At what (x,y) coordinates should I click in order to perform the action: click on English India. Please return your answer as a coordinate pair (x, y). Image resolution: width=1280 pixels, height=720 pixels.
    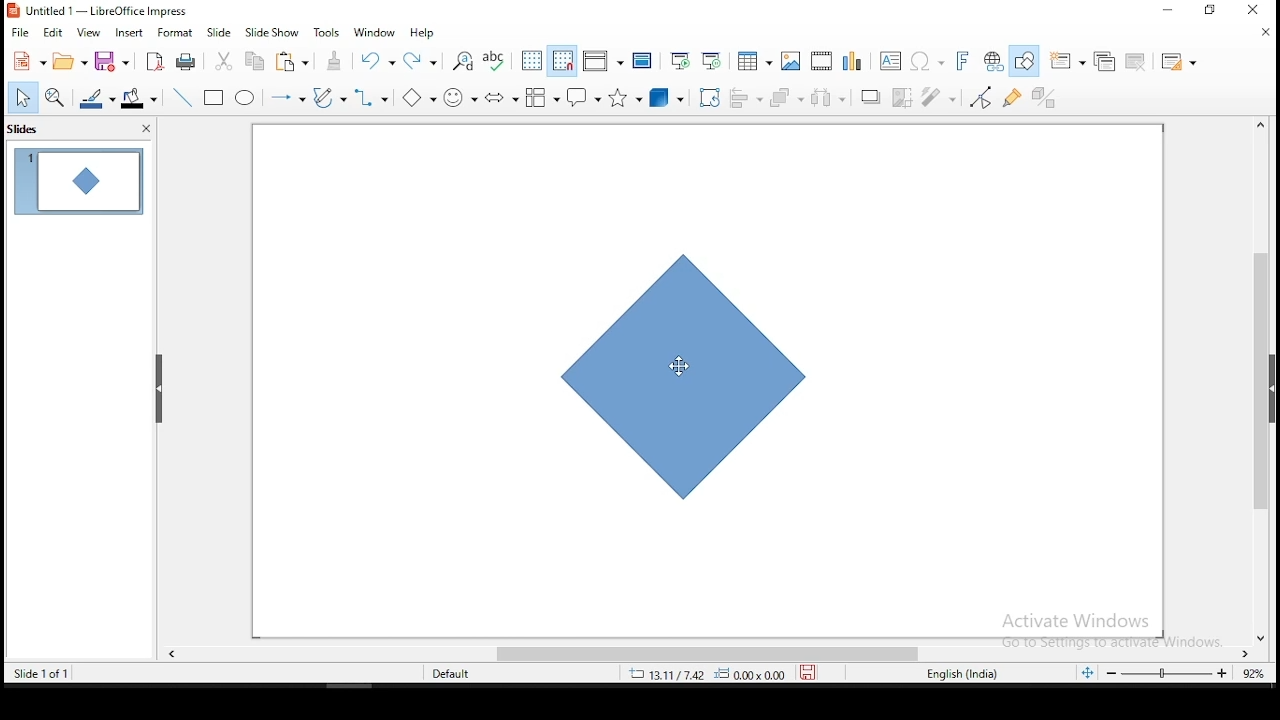
    Looking at the image, I should click on (966, 675).